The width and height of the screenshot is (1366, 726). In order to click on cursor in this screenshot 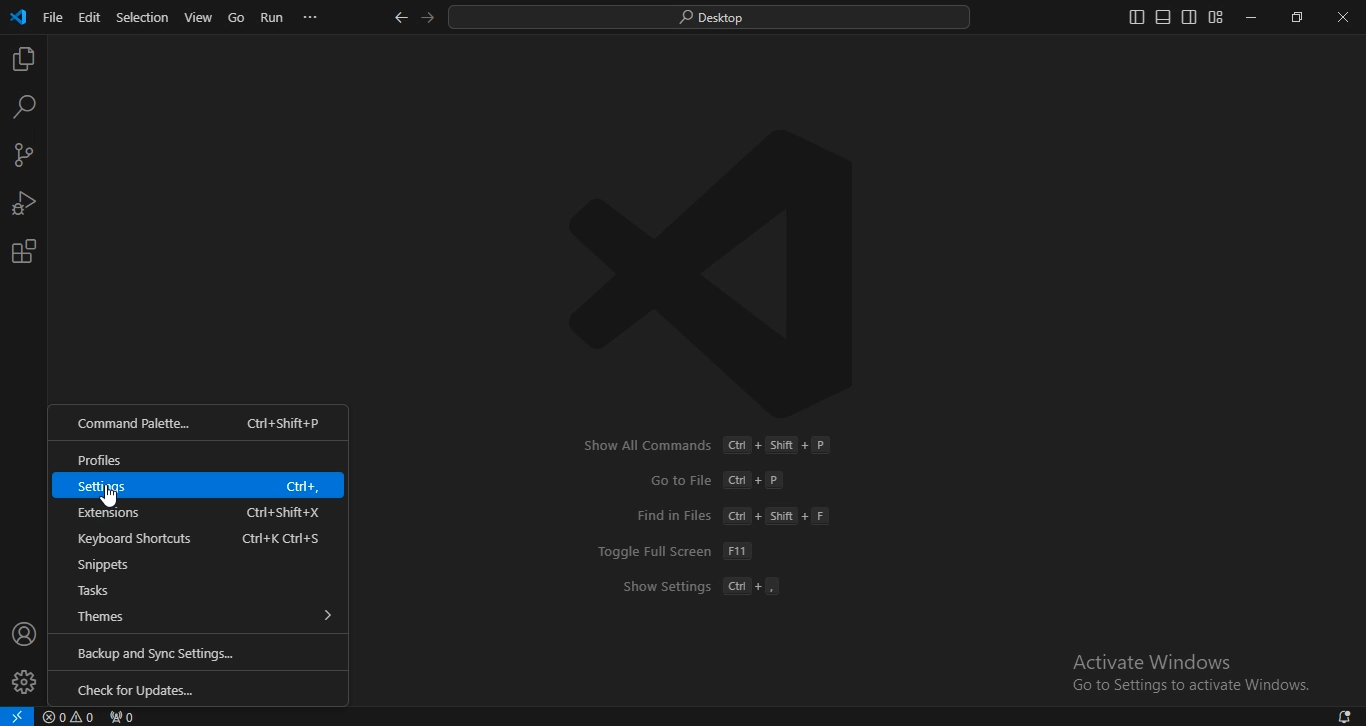, I will do `click(108, 498)`.